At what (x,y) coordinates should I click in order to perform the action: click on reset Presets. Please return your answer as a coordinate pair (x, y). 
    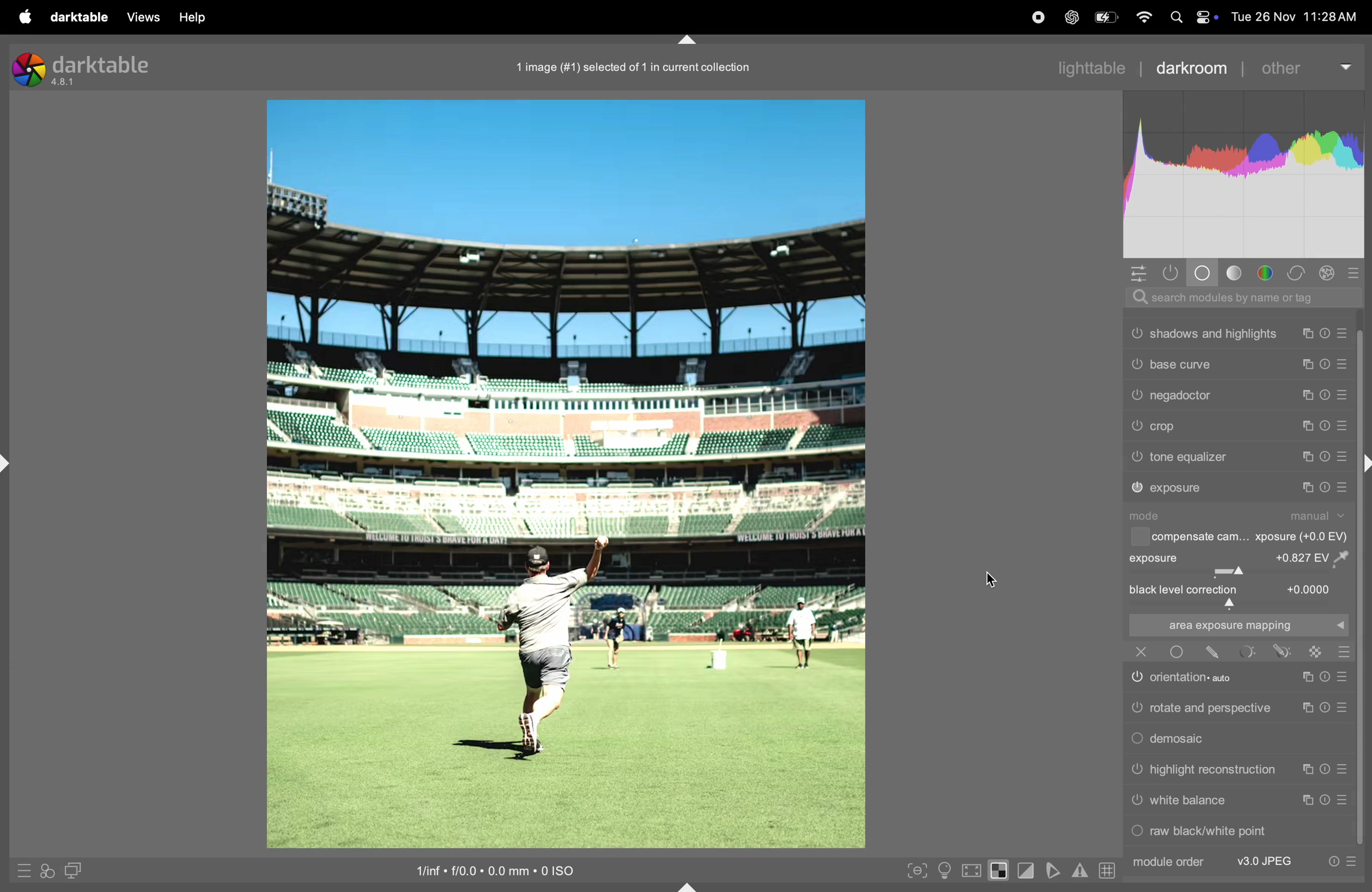
    Looking at the image, I should click on (1332, 862).